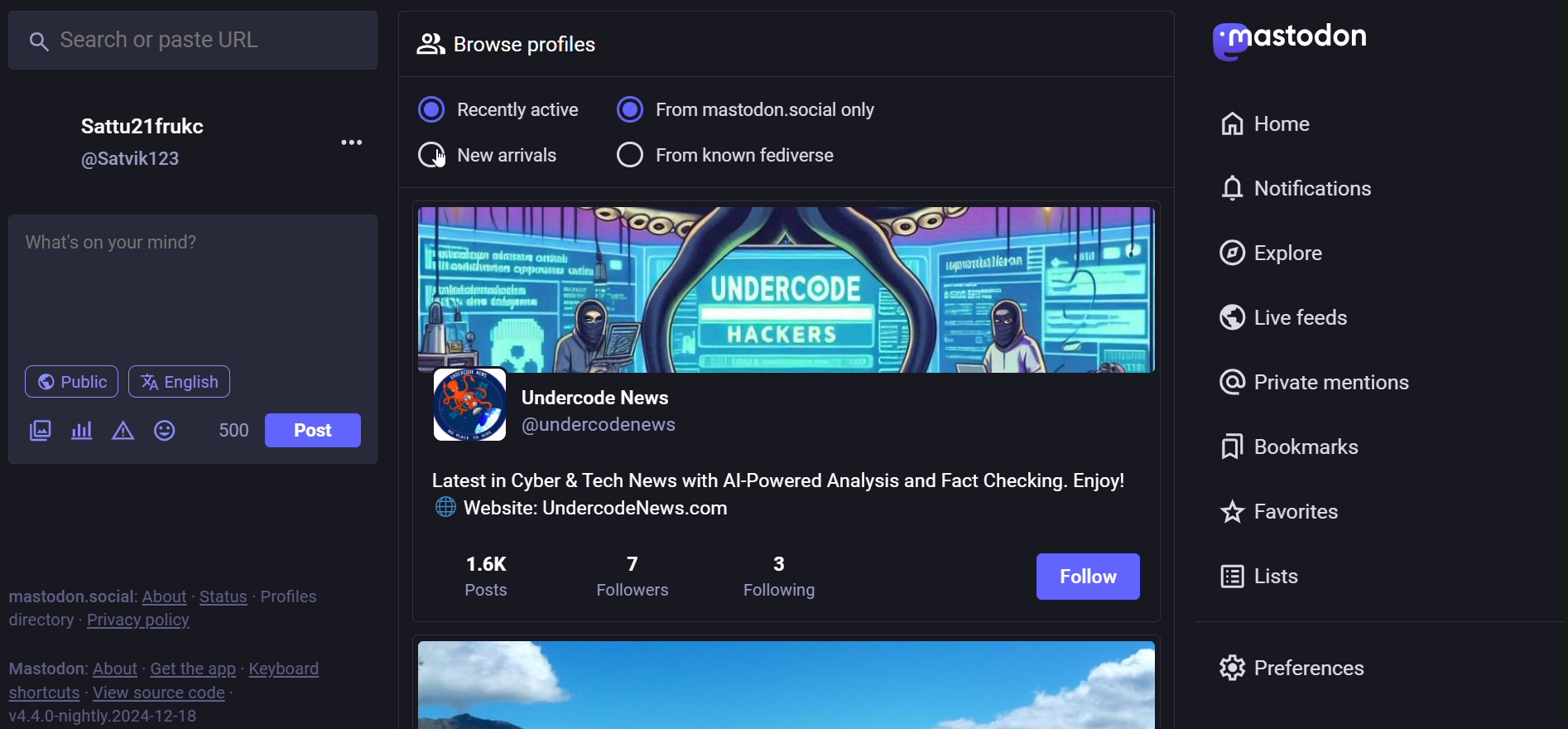  I want to click on bookmark, so click(1300, 449).